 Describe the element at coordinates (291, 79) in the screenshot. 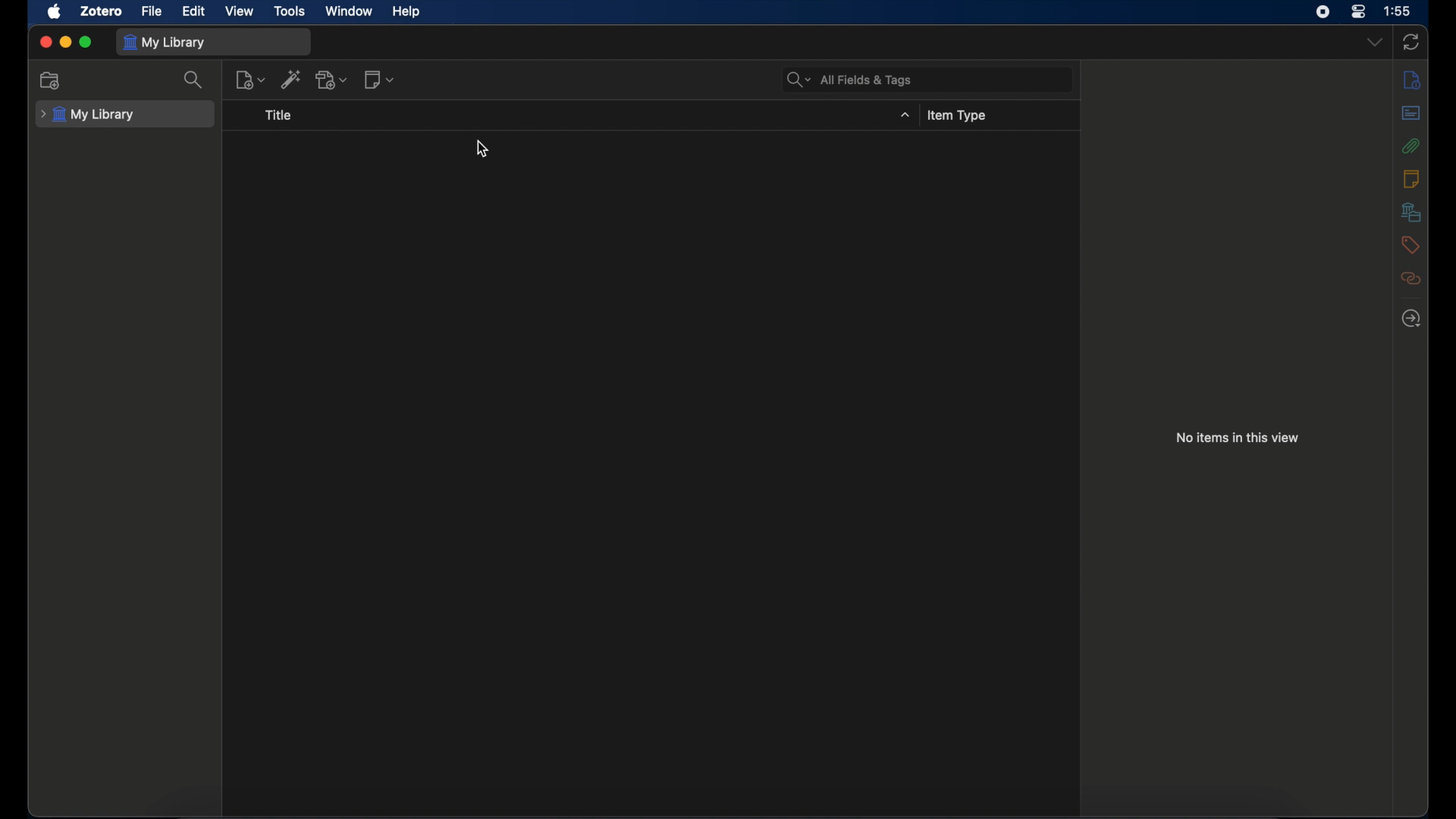

I see `add item by identifier` at that location.